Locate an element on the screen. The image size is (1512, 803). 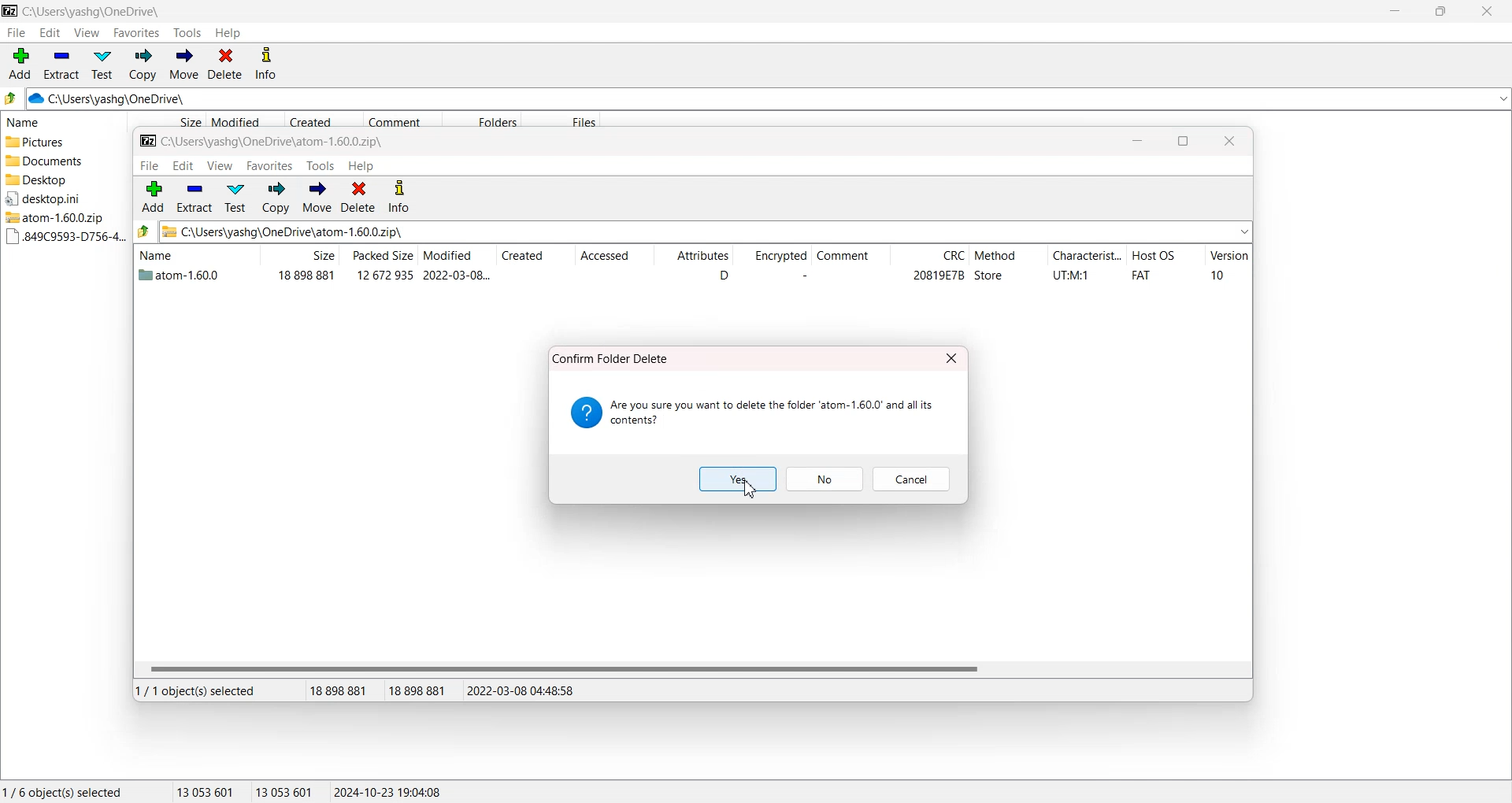
18 898 881 is located at coordinates (344, 691).